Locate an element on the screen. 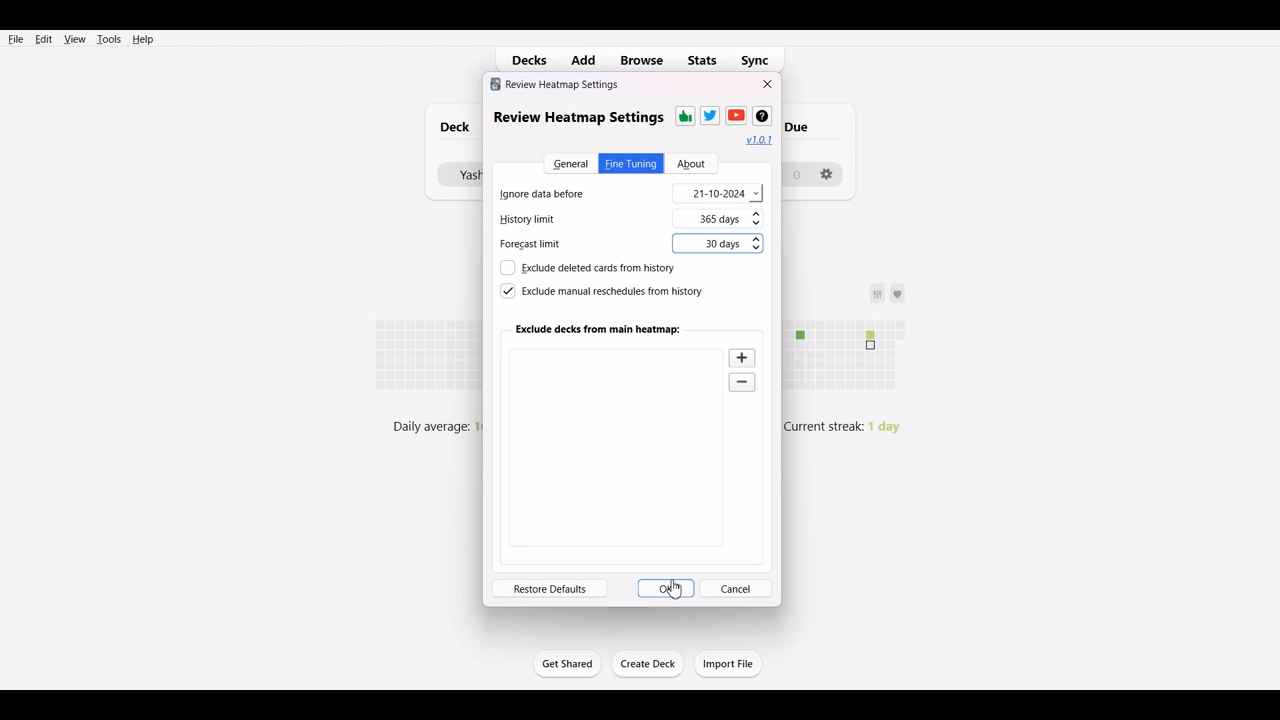  Close is located at coordinates (768, 84).